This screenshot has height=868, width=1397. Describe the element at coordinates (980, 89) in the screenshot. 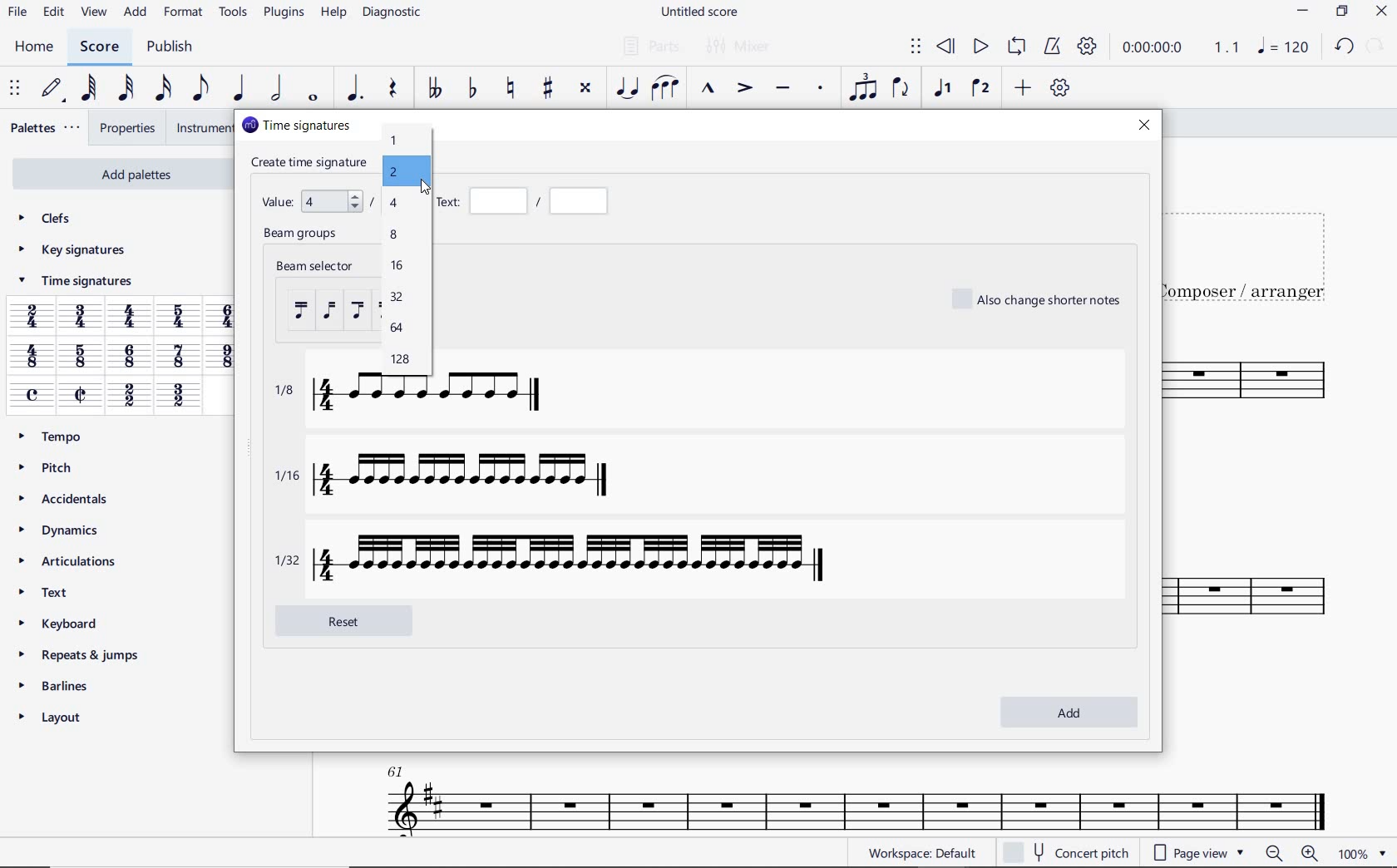

I see `VOICE 2` at that location.